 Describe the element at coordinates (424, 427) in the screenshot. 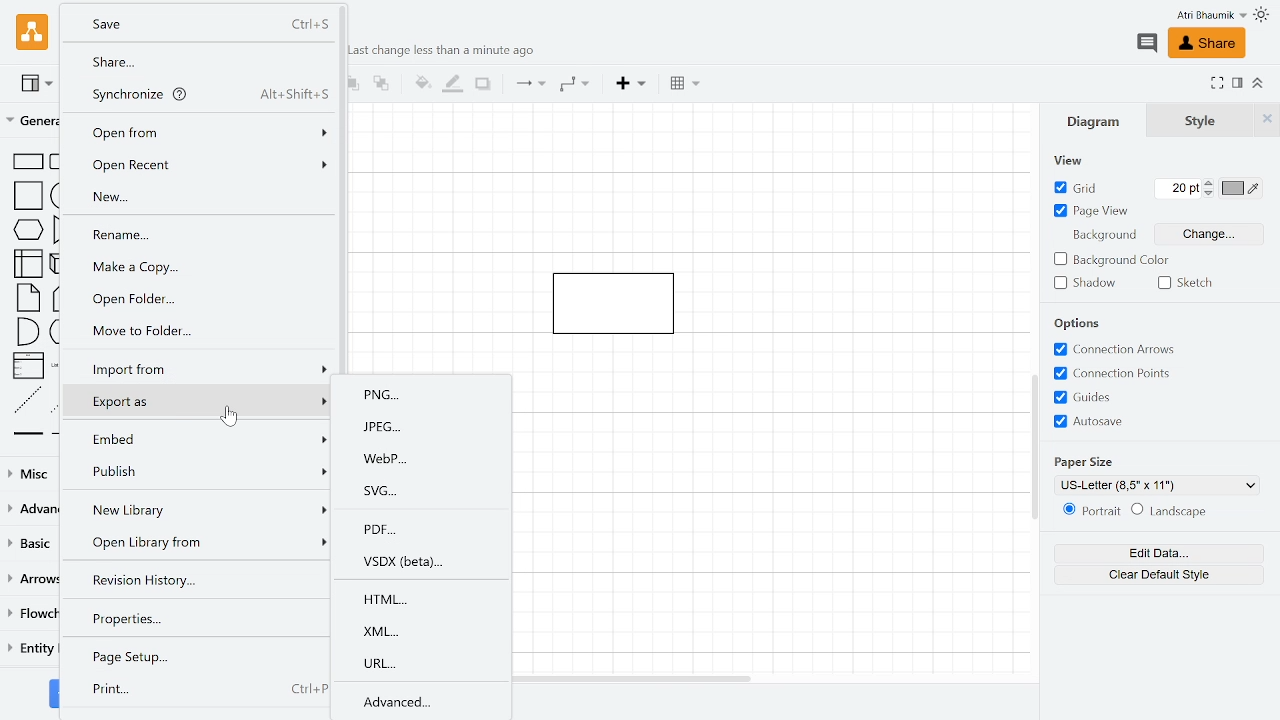

I see `JPEG` at that location.